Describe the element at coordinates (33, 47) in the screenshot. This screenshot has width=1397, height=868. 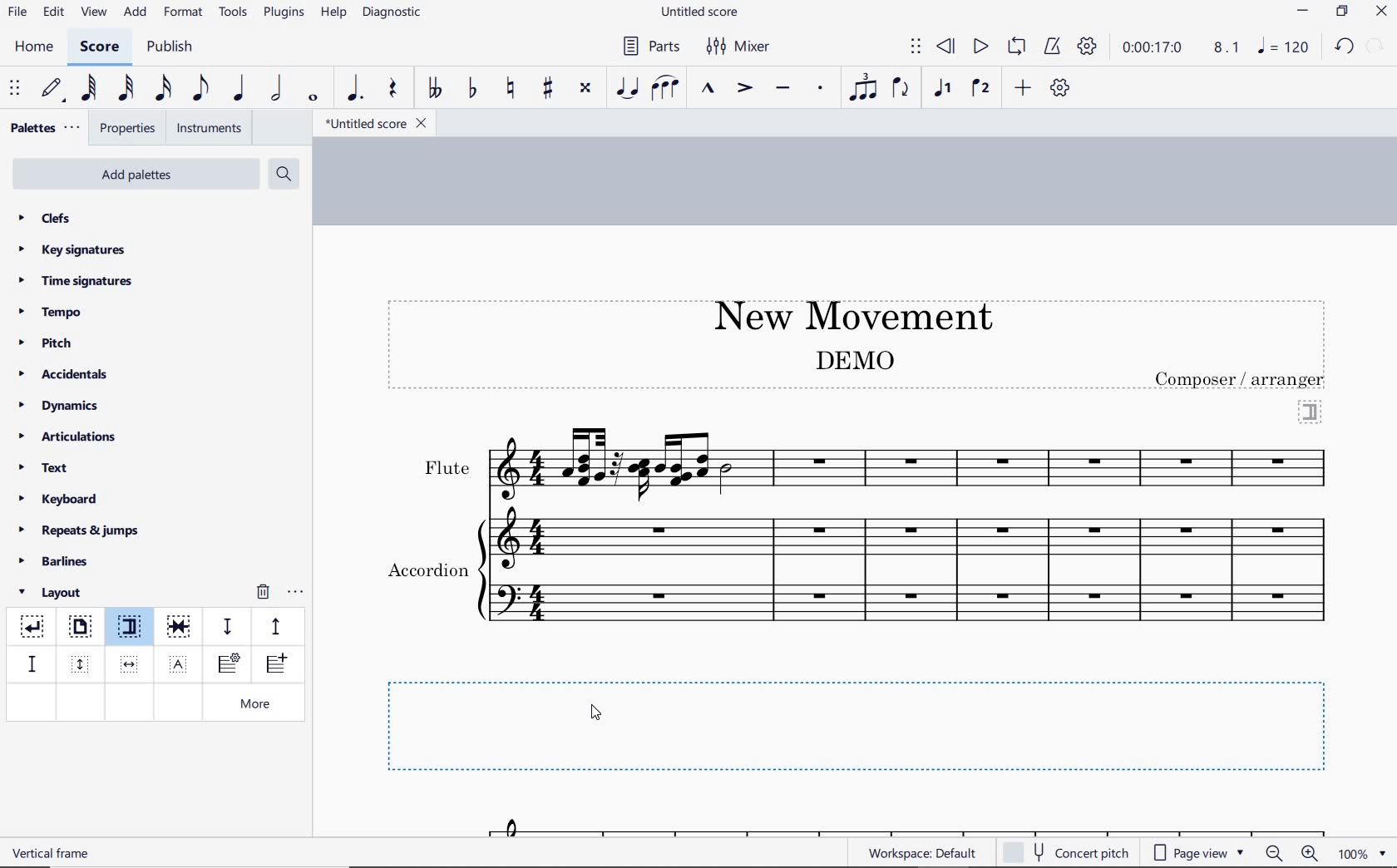
I see `home` at that location.